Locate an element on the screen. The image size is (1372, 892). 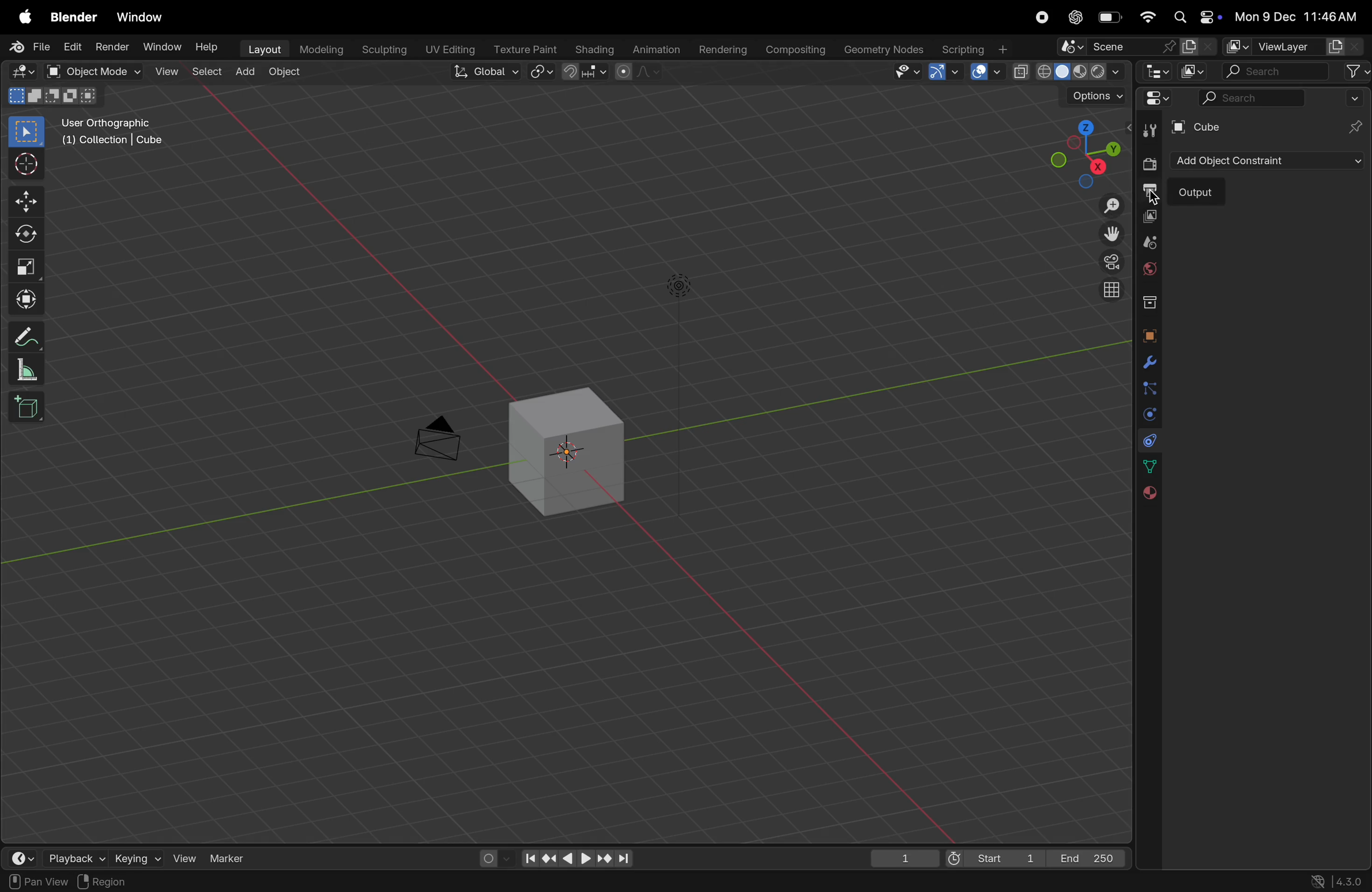
file is located at coordinates (29, 47).